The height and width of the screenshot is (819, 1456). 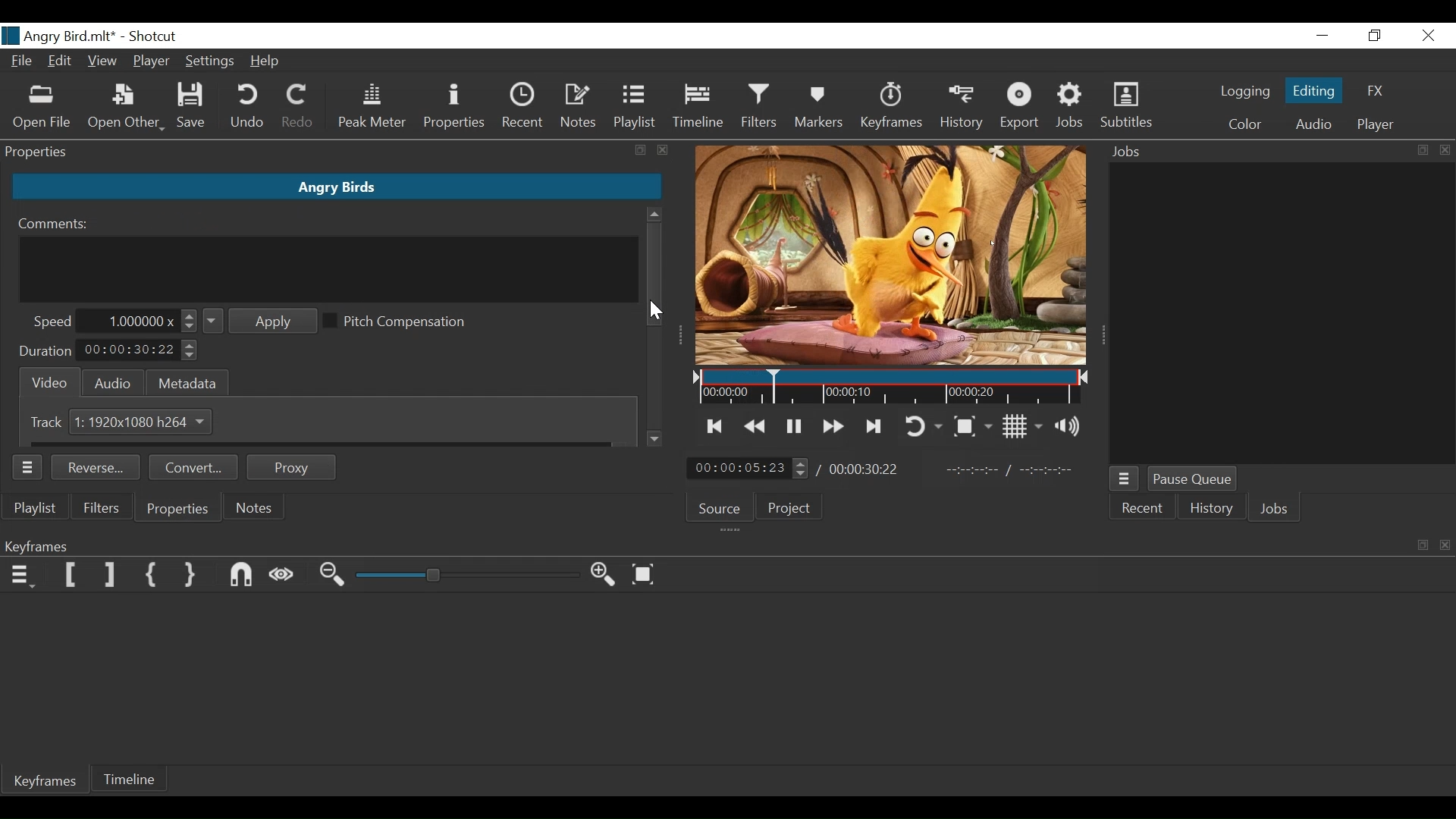 I want to click on Comment Field, so click(x=325, y=270).